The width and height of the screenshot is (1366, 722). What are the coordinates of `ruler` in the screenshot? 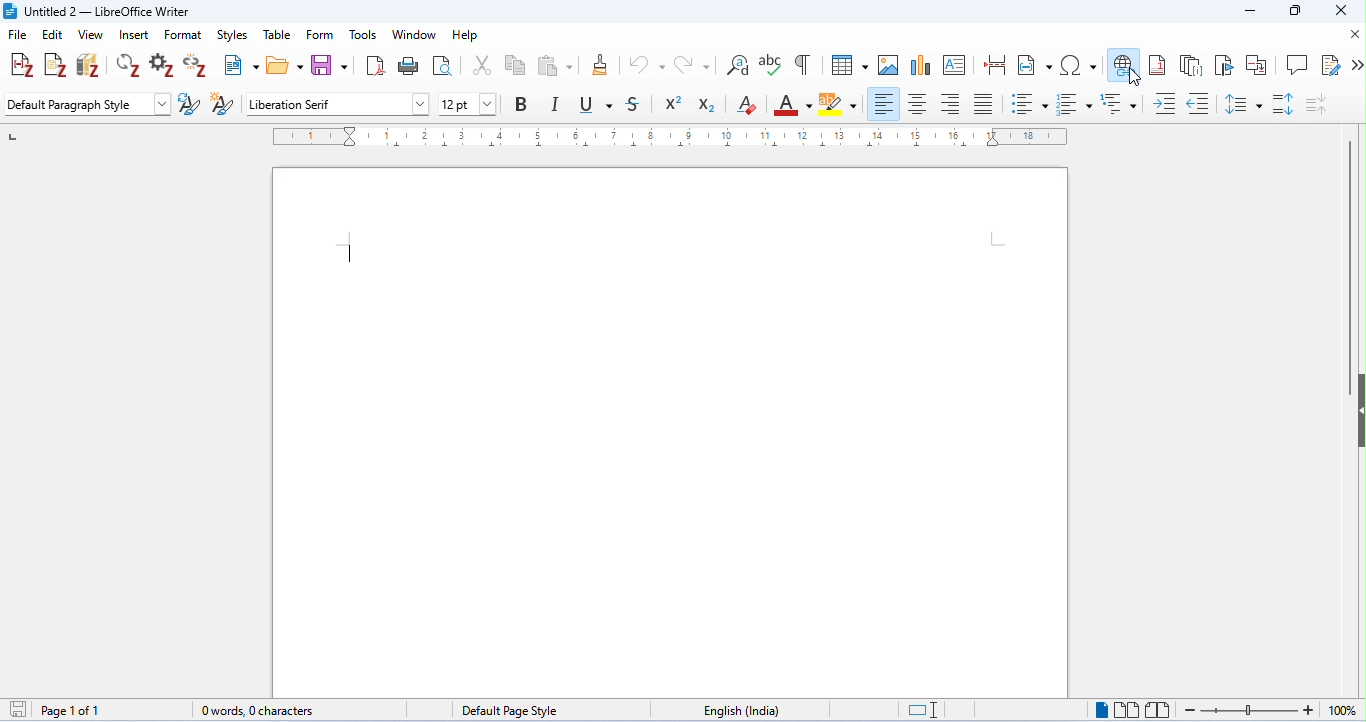 It's located at (670, 137).